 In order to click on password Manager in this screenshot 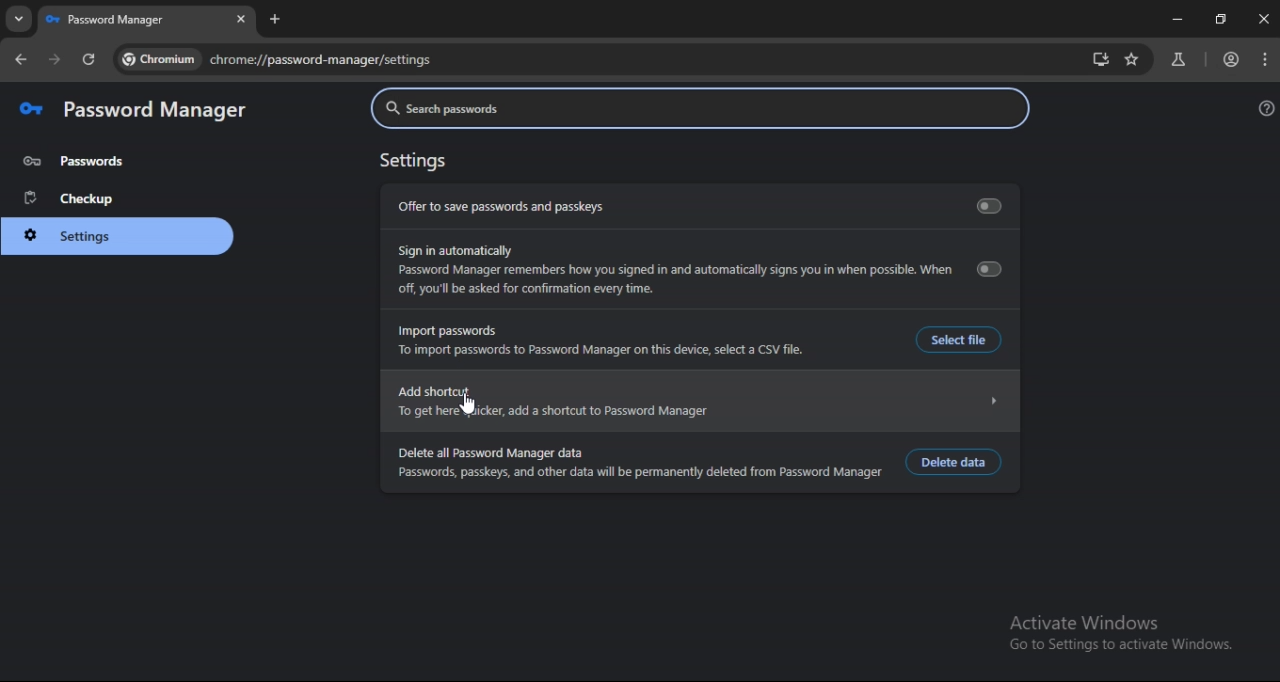, I will do `click(115, 20)`.